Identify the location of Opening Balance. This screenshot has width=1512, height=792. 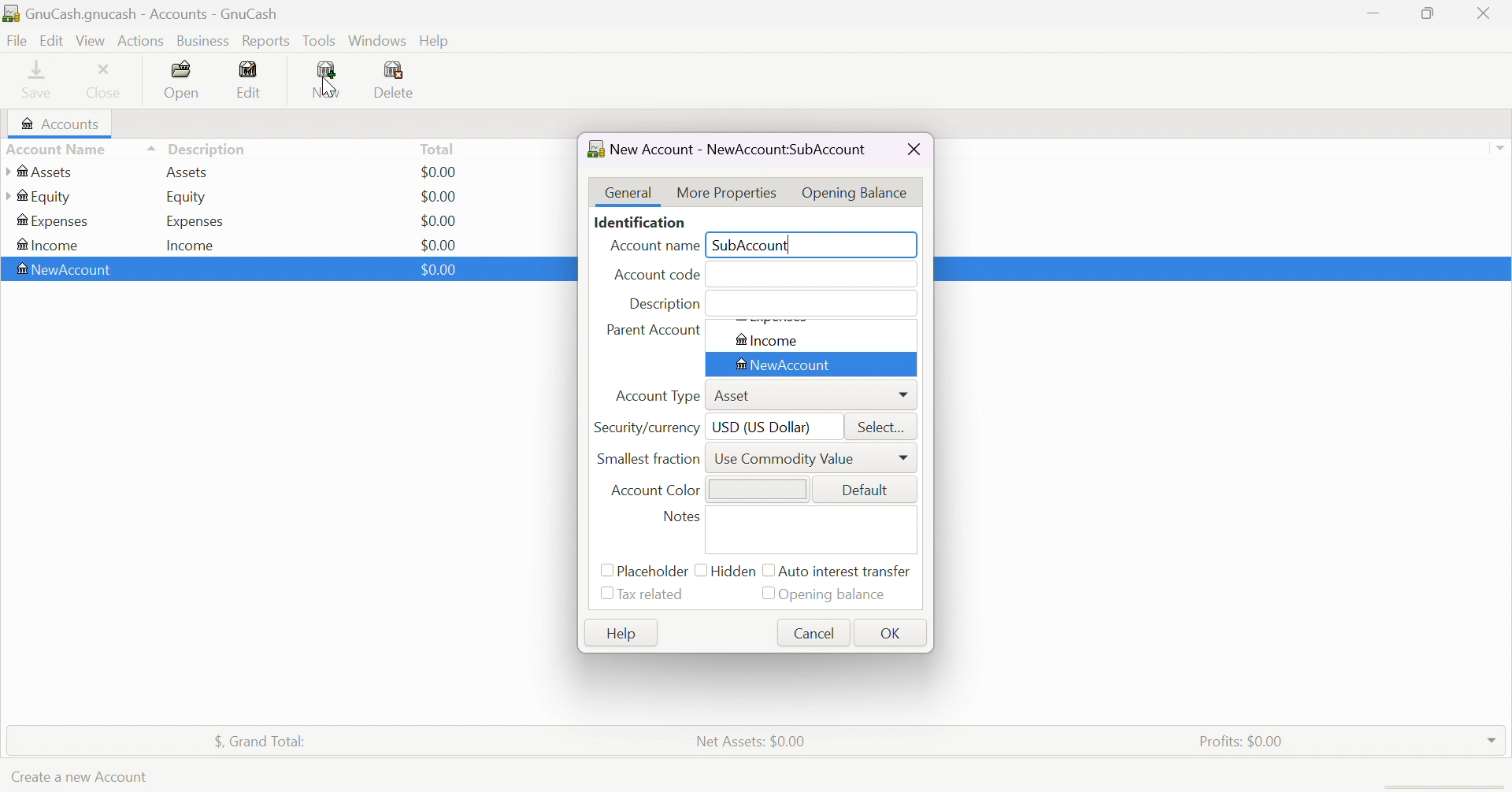
(858, 192).